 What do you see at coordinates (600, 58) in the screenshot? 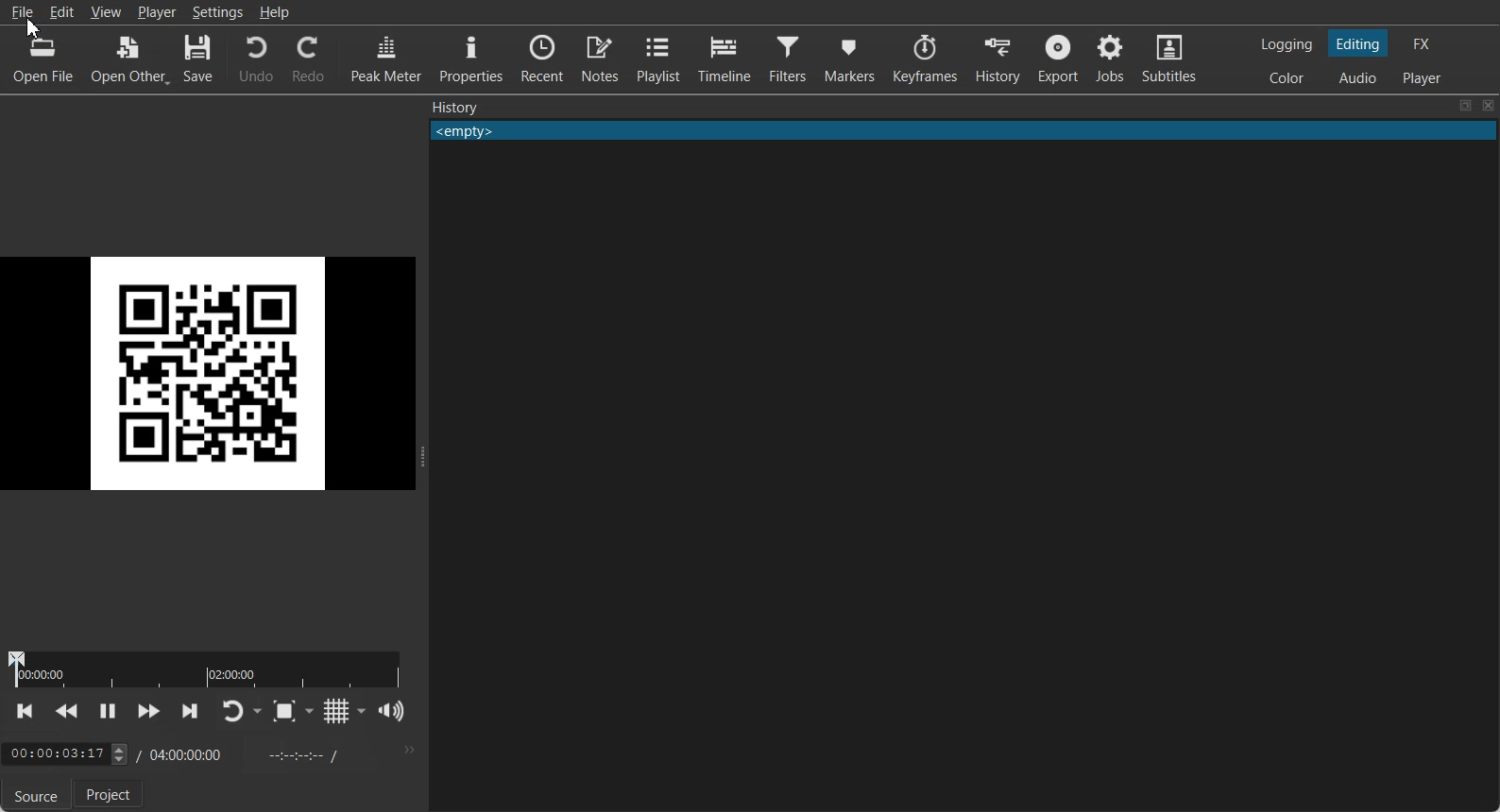
I see `Notes` at bounding box center [600, 58].